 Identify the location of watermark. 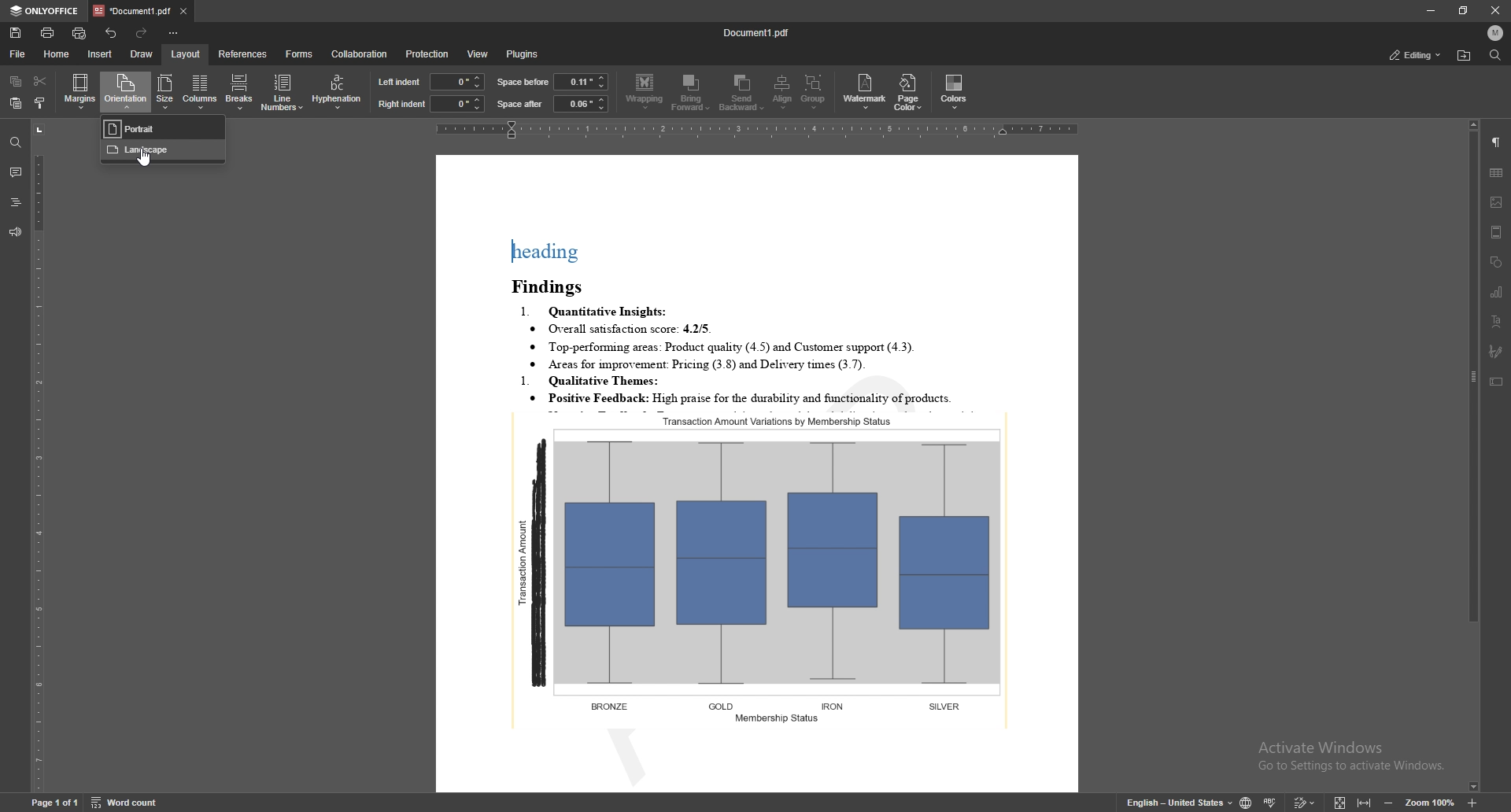
(865, 93).